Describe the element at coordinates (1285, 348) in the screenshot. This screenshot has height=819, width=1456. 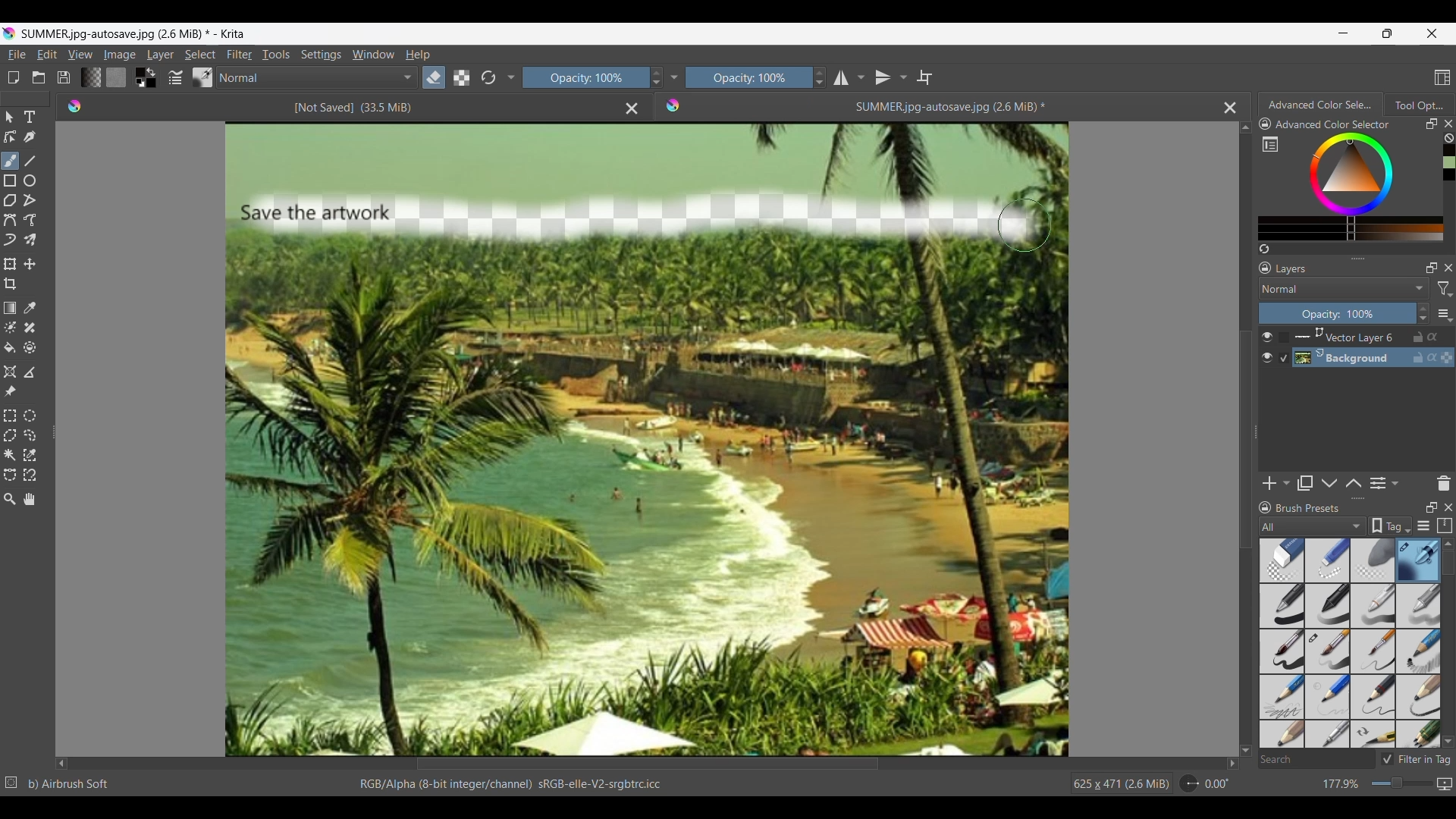
I see `Indicates respective background is selected` at that location.